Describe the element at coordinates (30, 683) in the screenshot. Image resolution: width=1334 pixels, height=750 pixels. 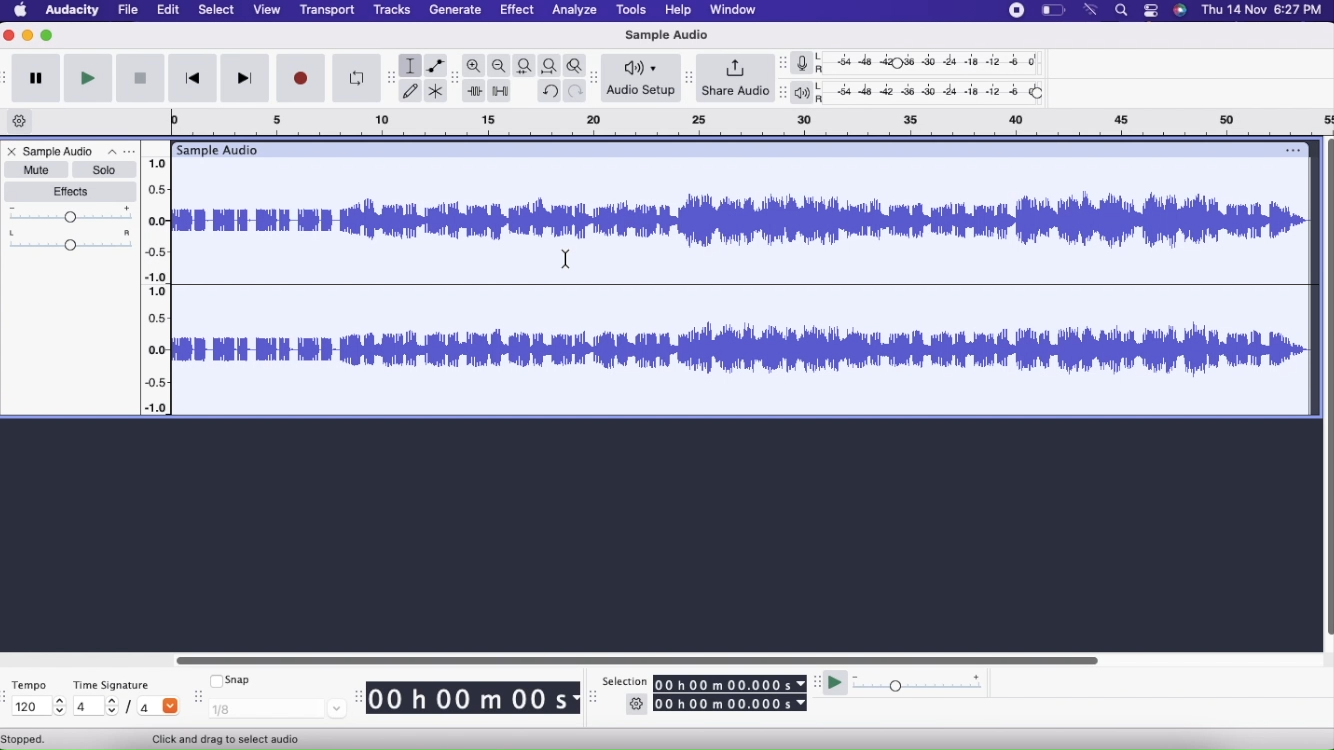
I see `Tempo` at that location.